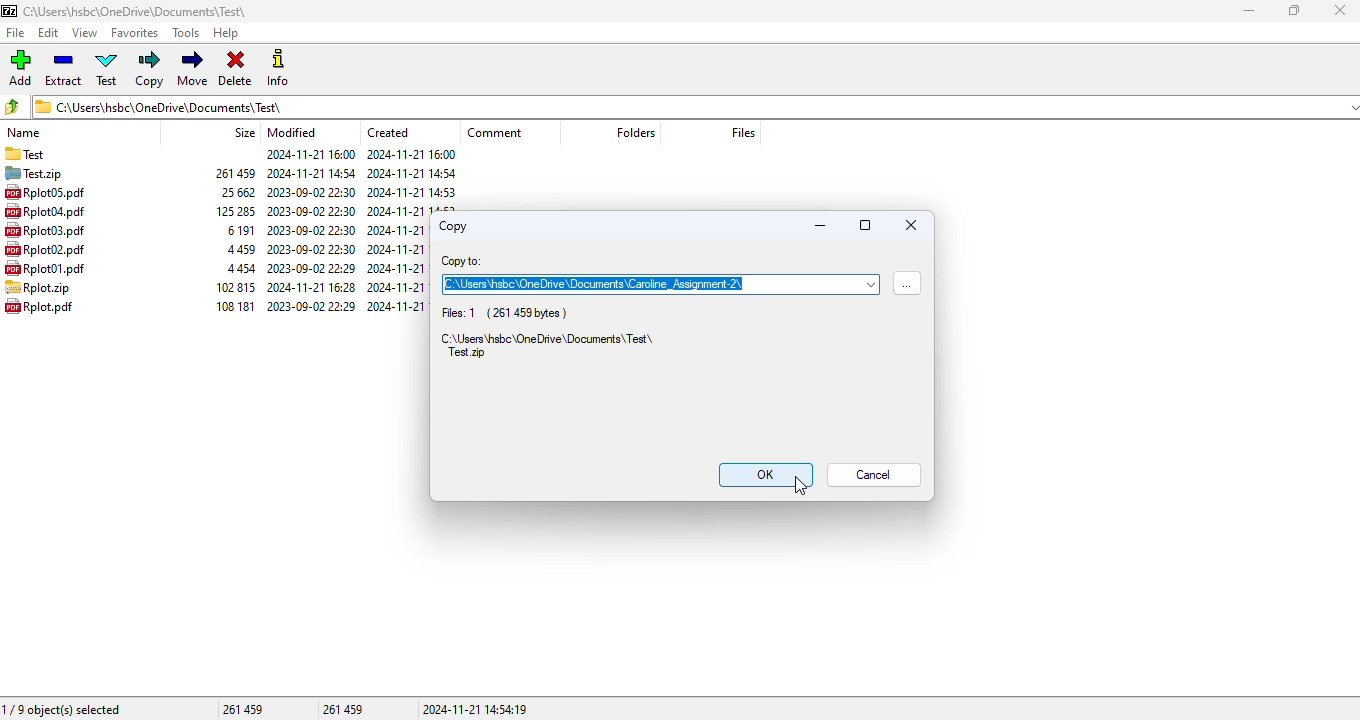 The height and width of the screenshot is (720, 1360). Describe the element at coordinates (802, 486) in the screenshot. I see `cursor` at that location.